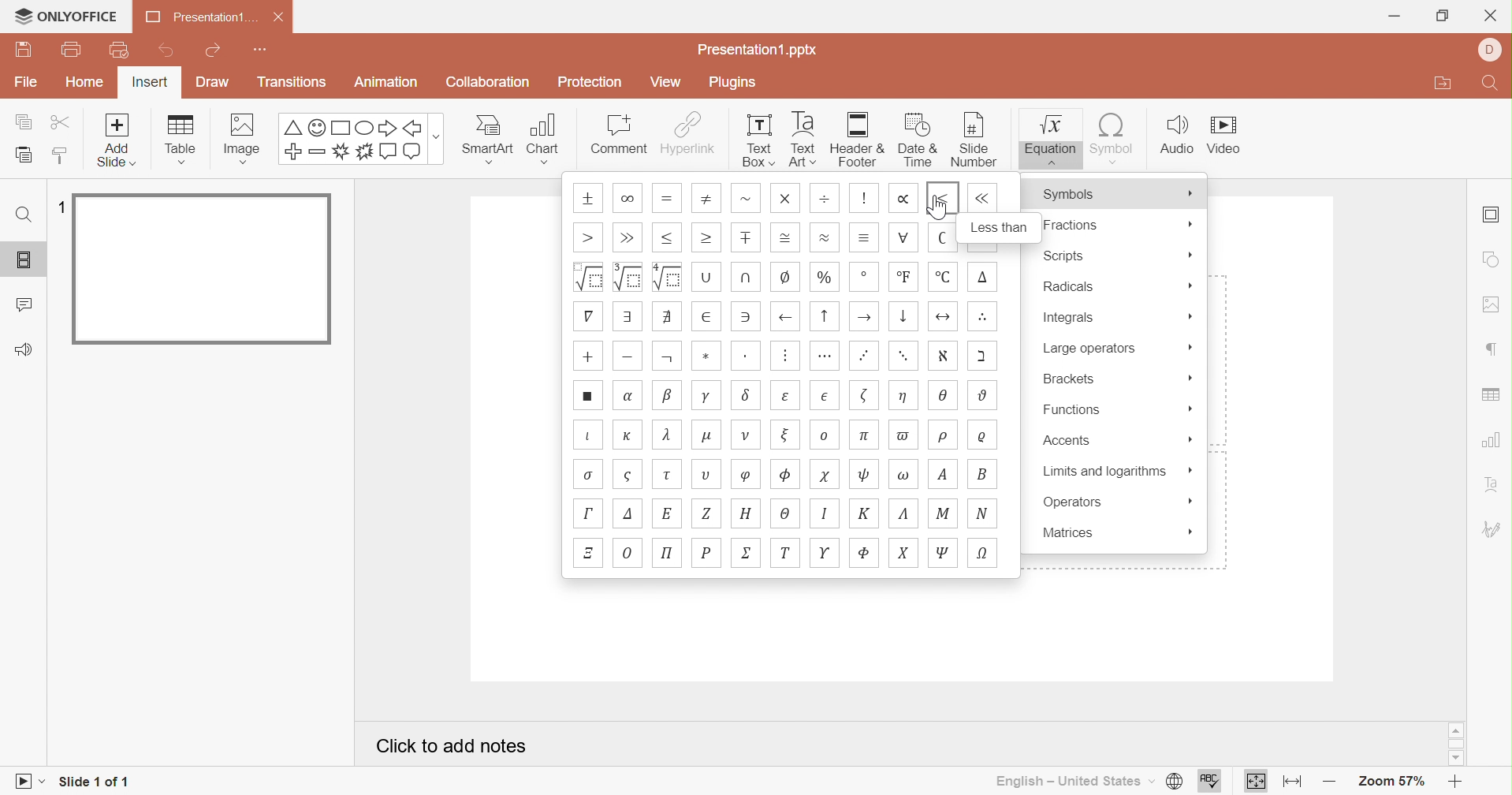 The width and height of the screenshot is (1512, 795). Describe the element at coordinates (245, 135) in the screenshot. I see `Image` at that location.